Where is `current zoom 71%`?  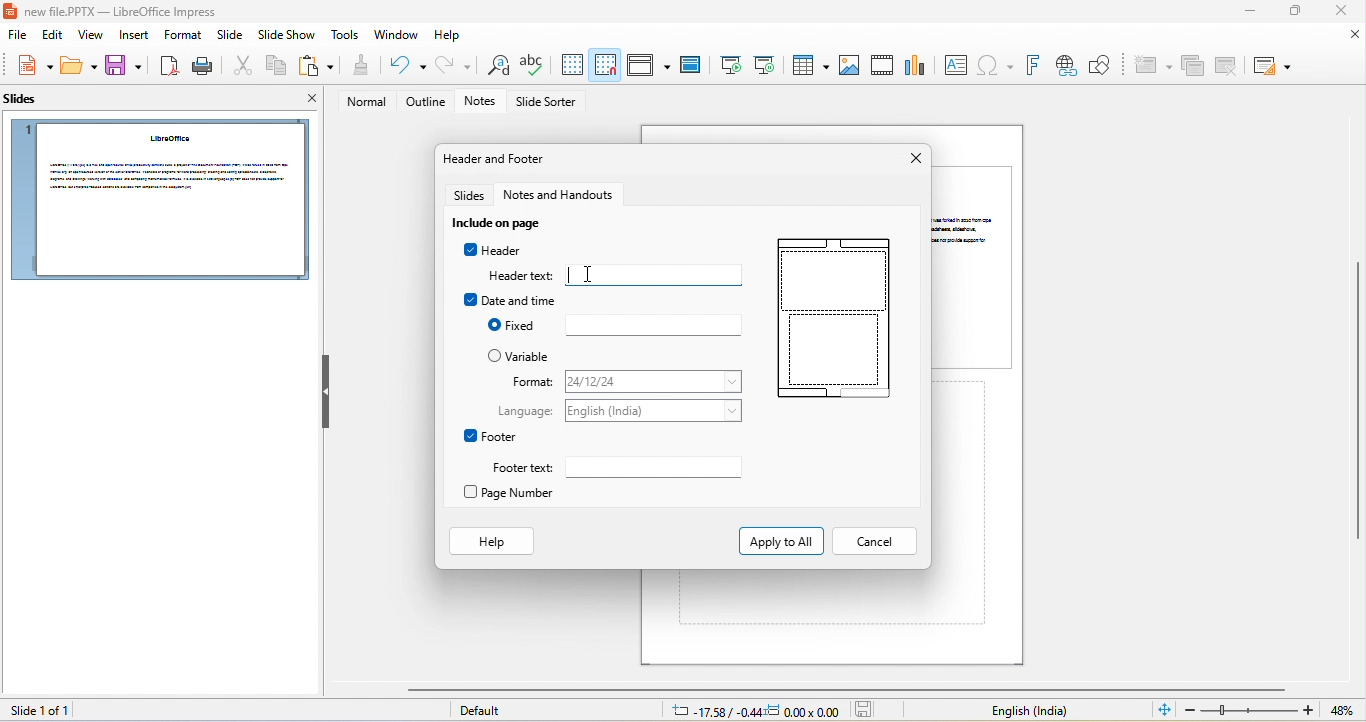 current zoom 71% is located at coordinates (1347, 711).